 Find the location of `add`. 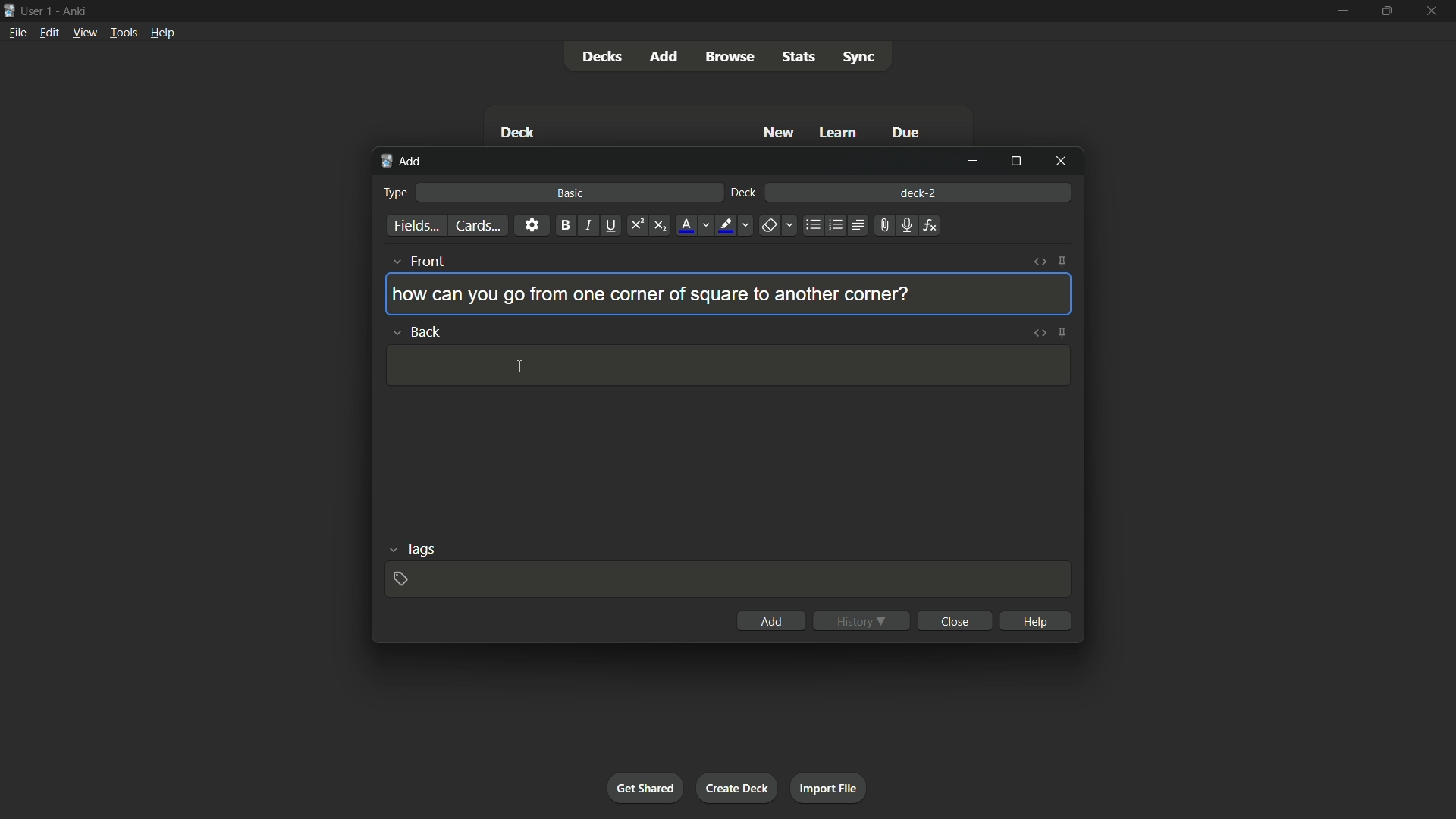

add is located at coordinates (662, 56).